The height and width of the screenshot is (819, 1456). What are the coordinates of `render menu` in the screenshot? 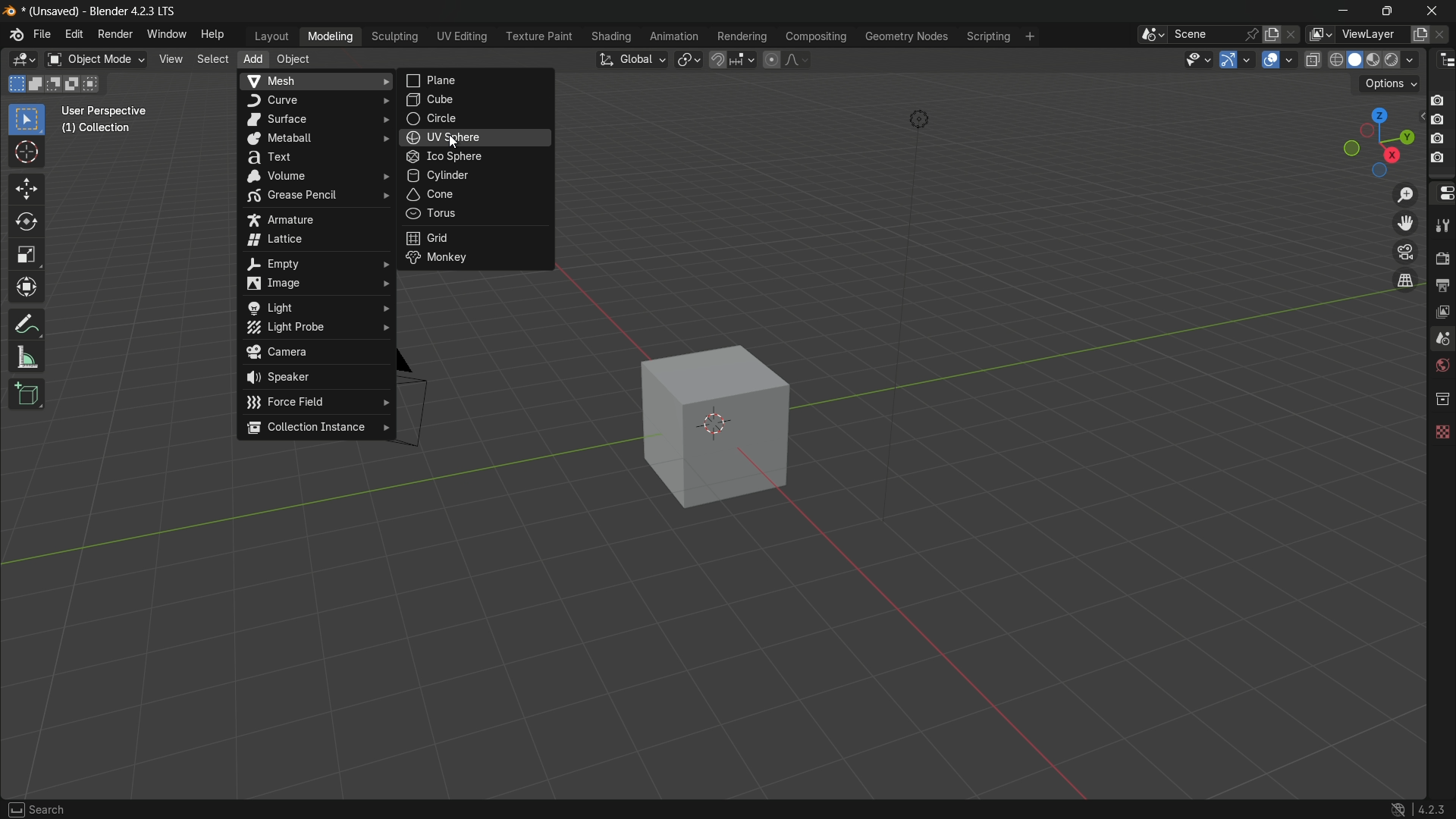 It's located at (115, 35).